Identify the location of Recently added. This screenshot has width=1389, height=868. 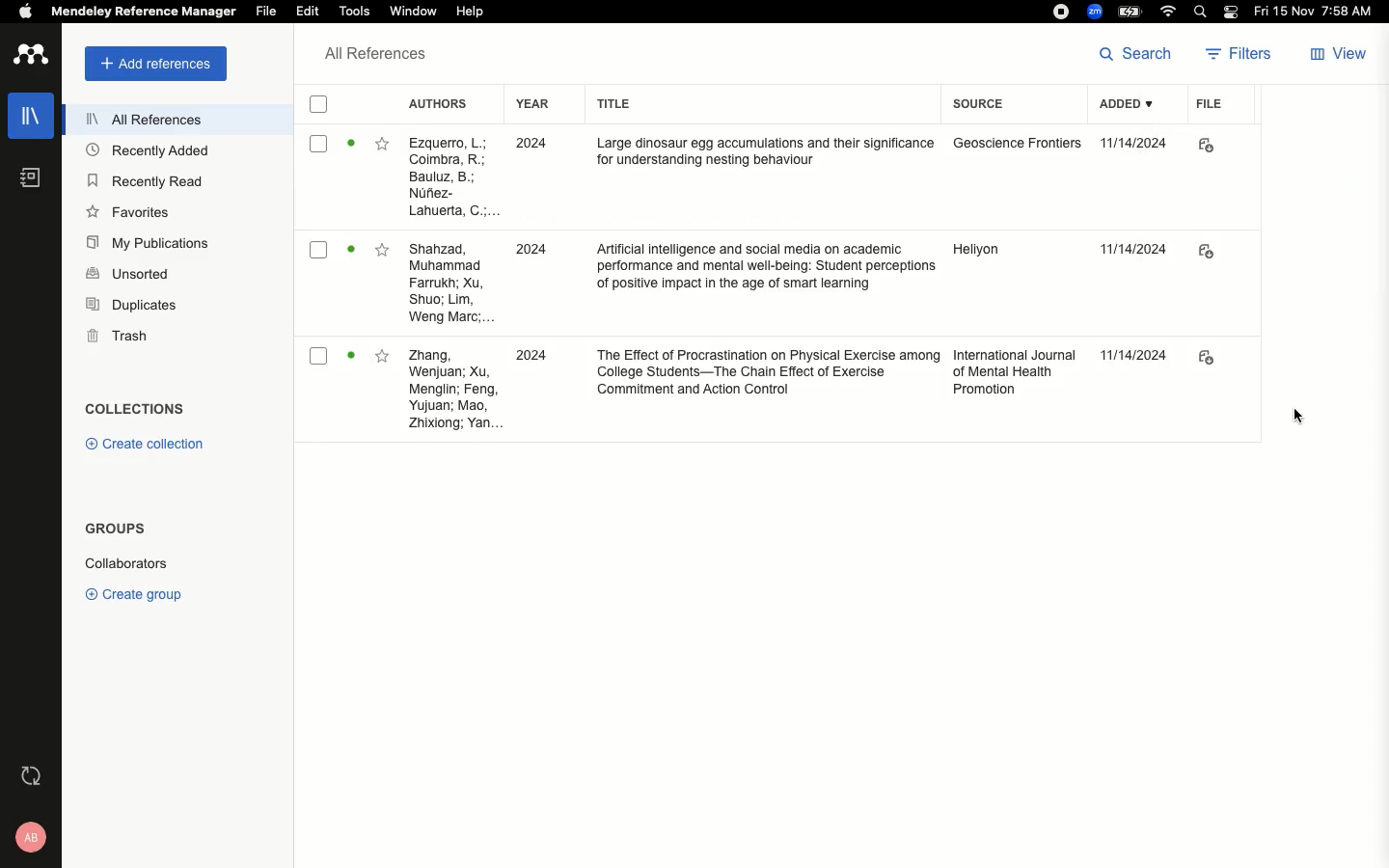
(147, 152).